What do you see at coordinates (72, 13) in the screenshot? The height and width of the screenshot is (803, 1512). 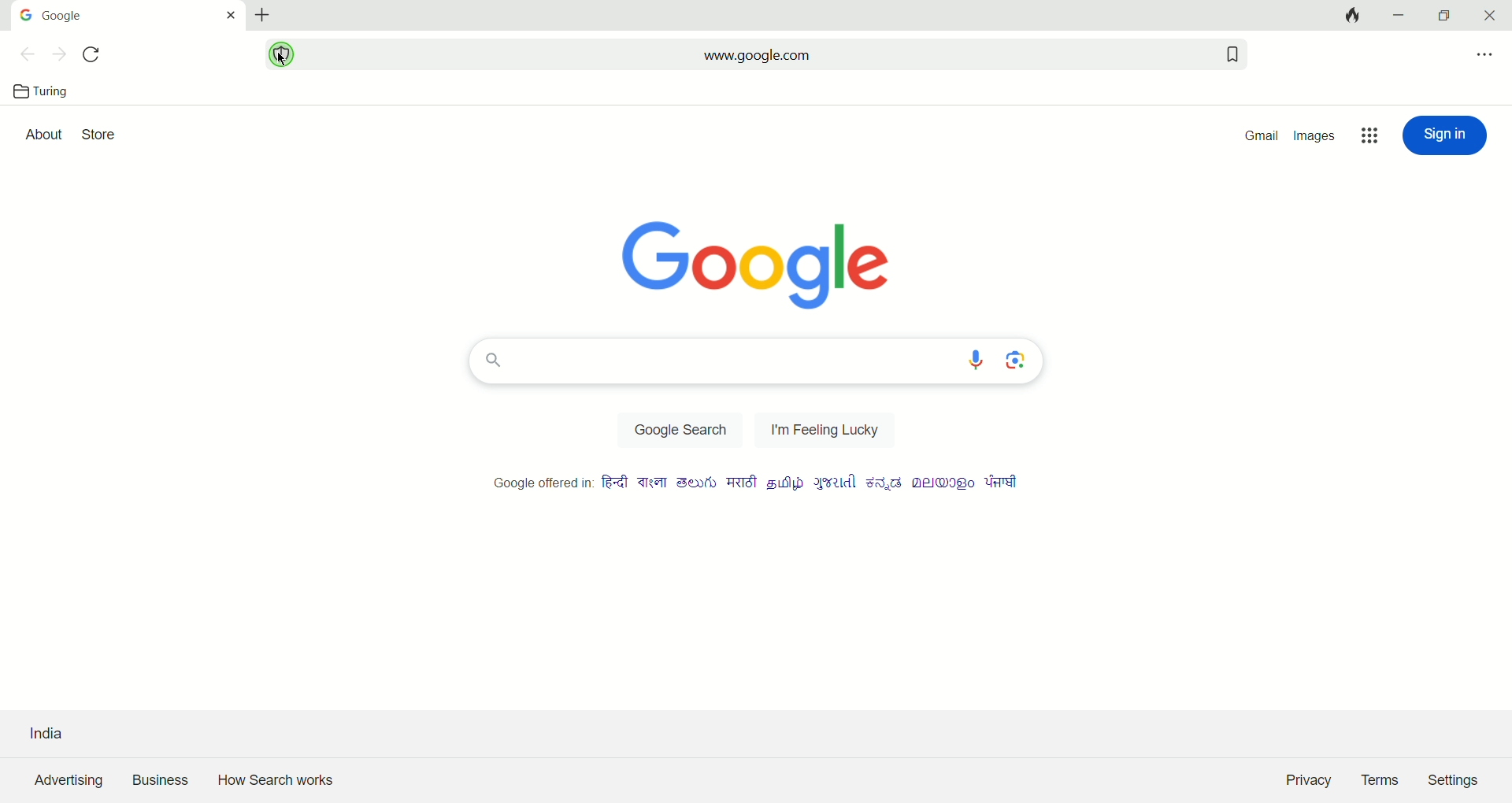 I see `google` at bounding box center [72, 13].